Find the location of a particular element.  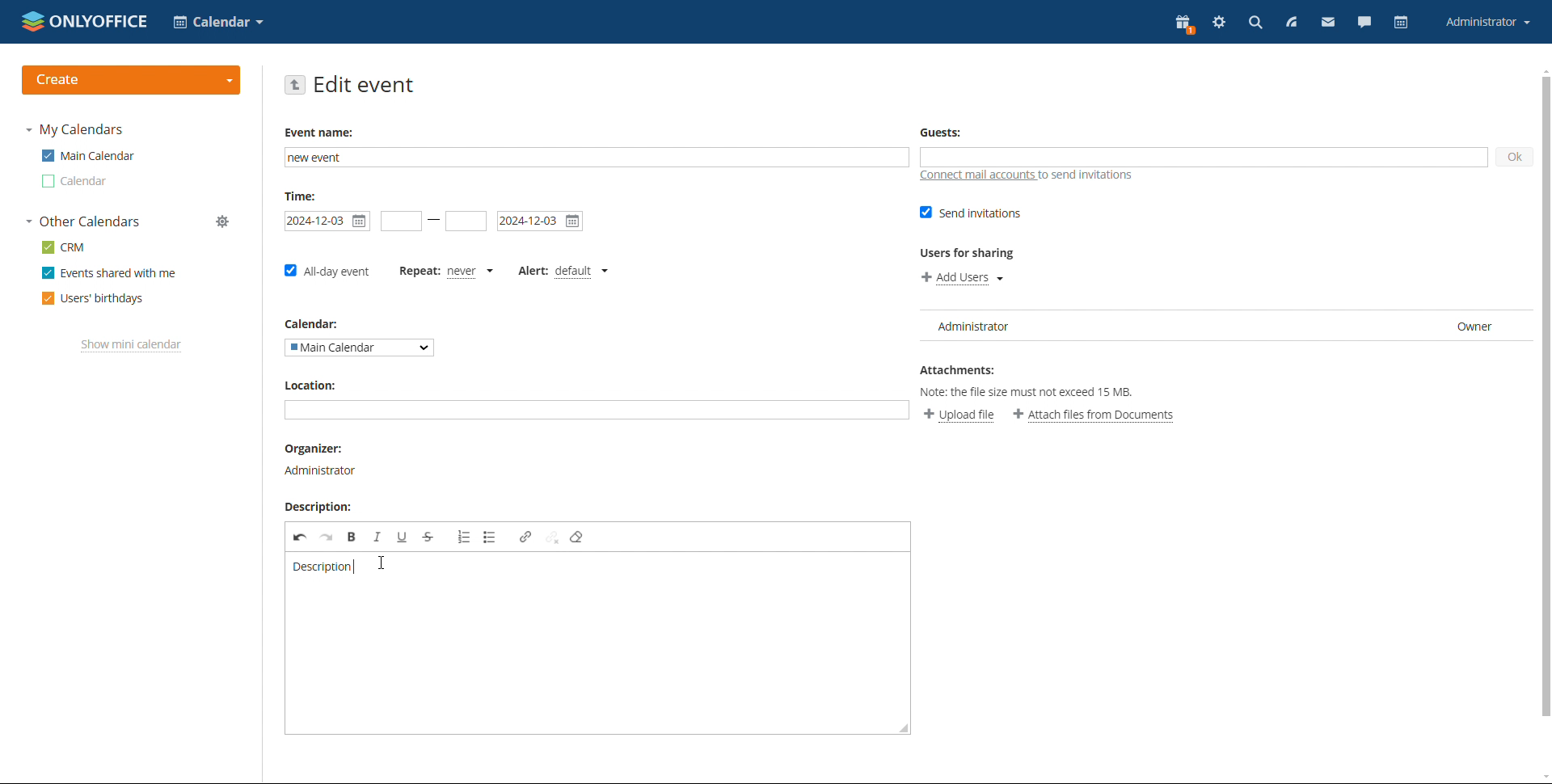

Time: is located at coordinates (304, 196).